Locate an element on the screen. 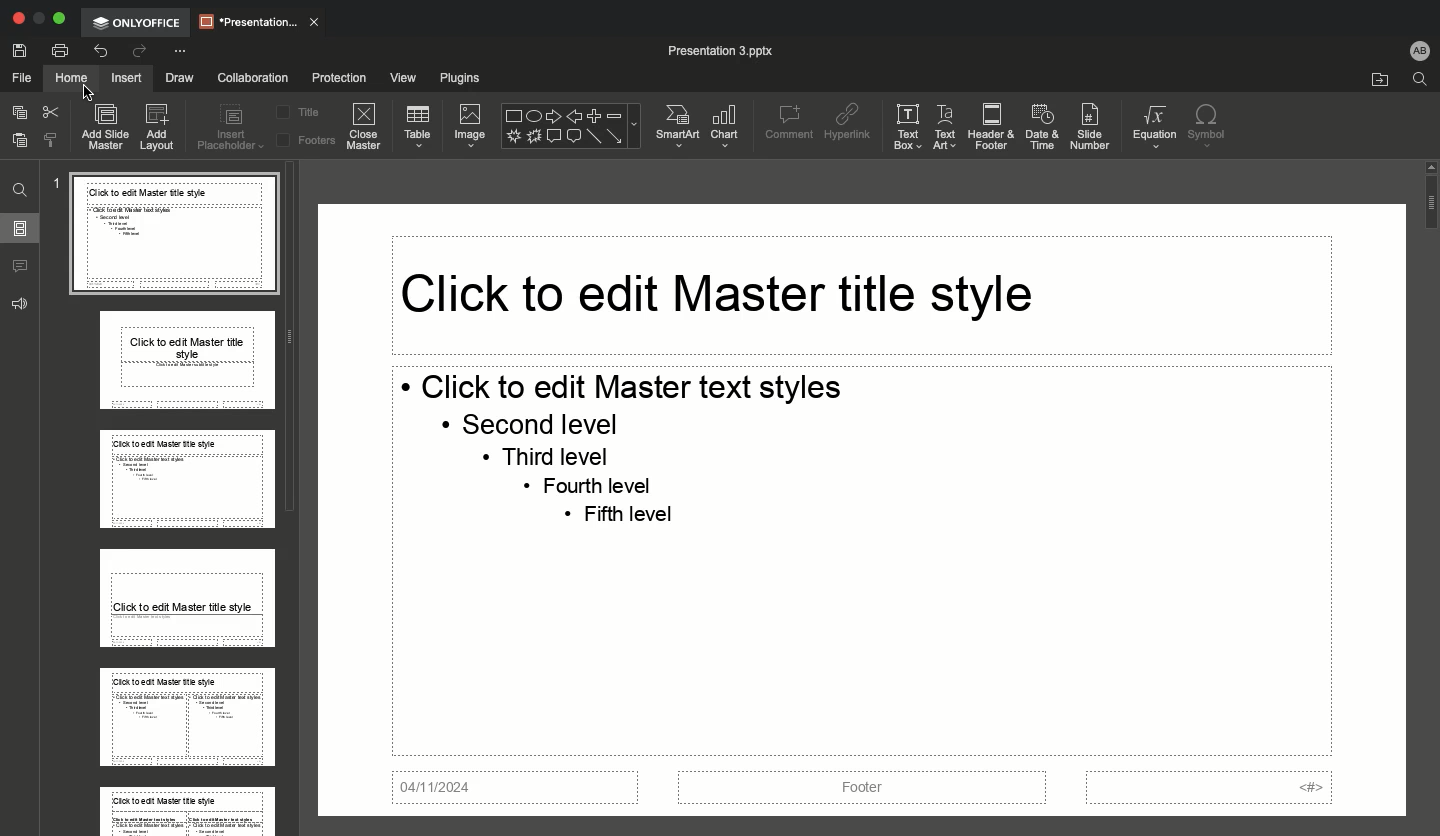 The width and height of the screenshot is (1440, 836). Text box is located at coordinates (903, 127).